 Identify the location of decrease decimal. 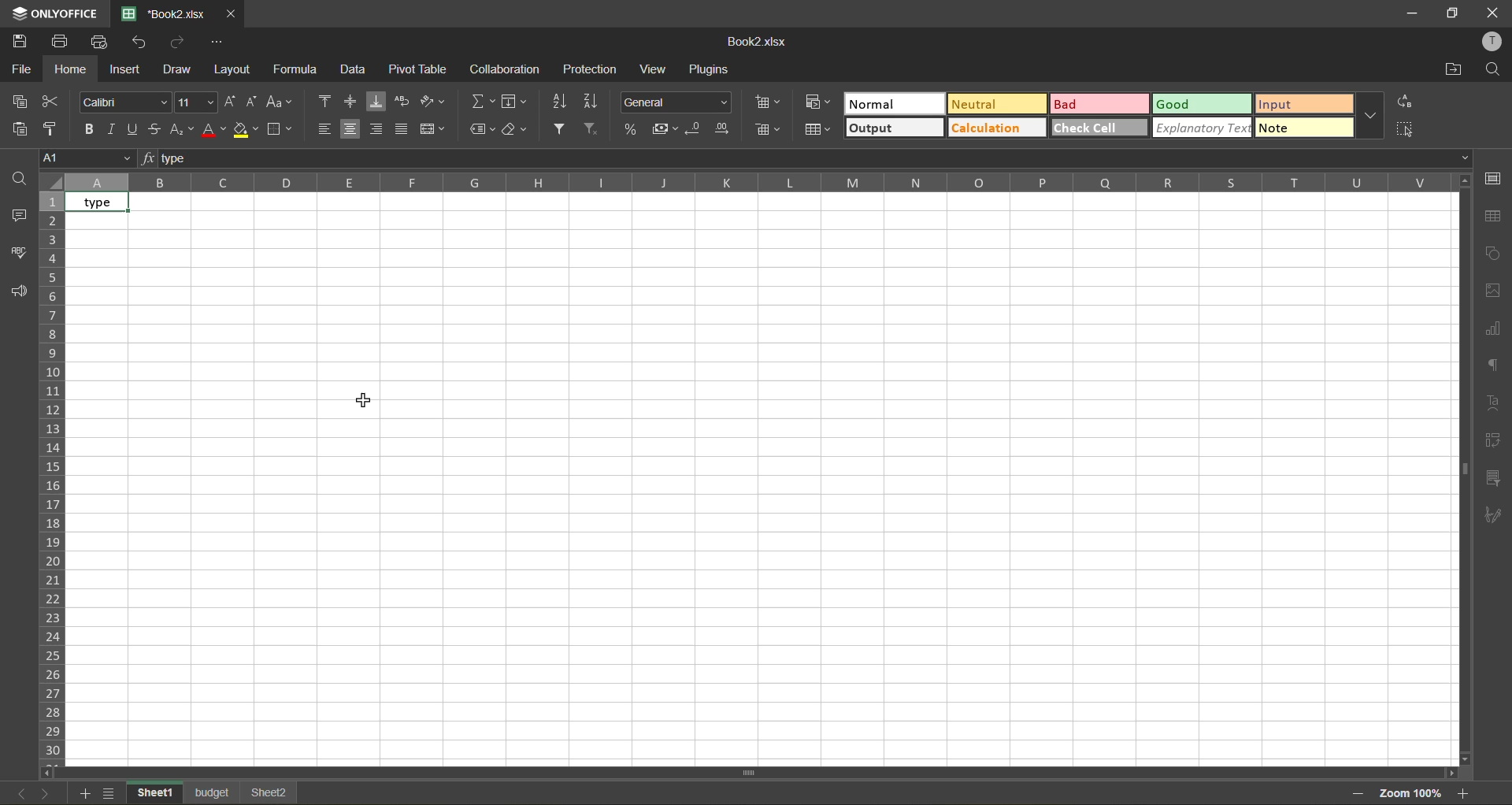
(694, 128).